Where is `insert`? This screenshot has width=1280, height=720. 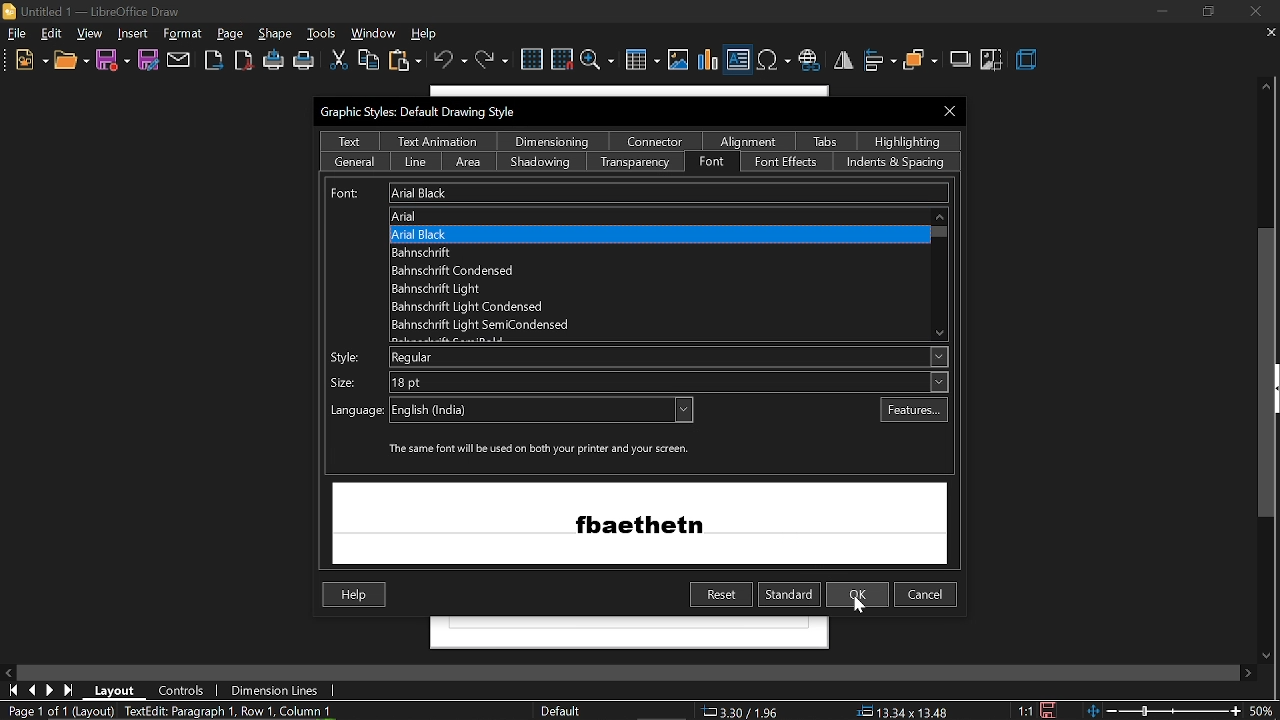 insert is located at coordinates (185, 34).